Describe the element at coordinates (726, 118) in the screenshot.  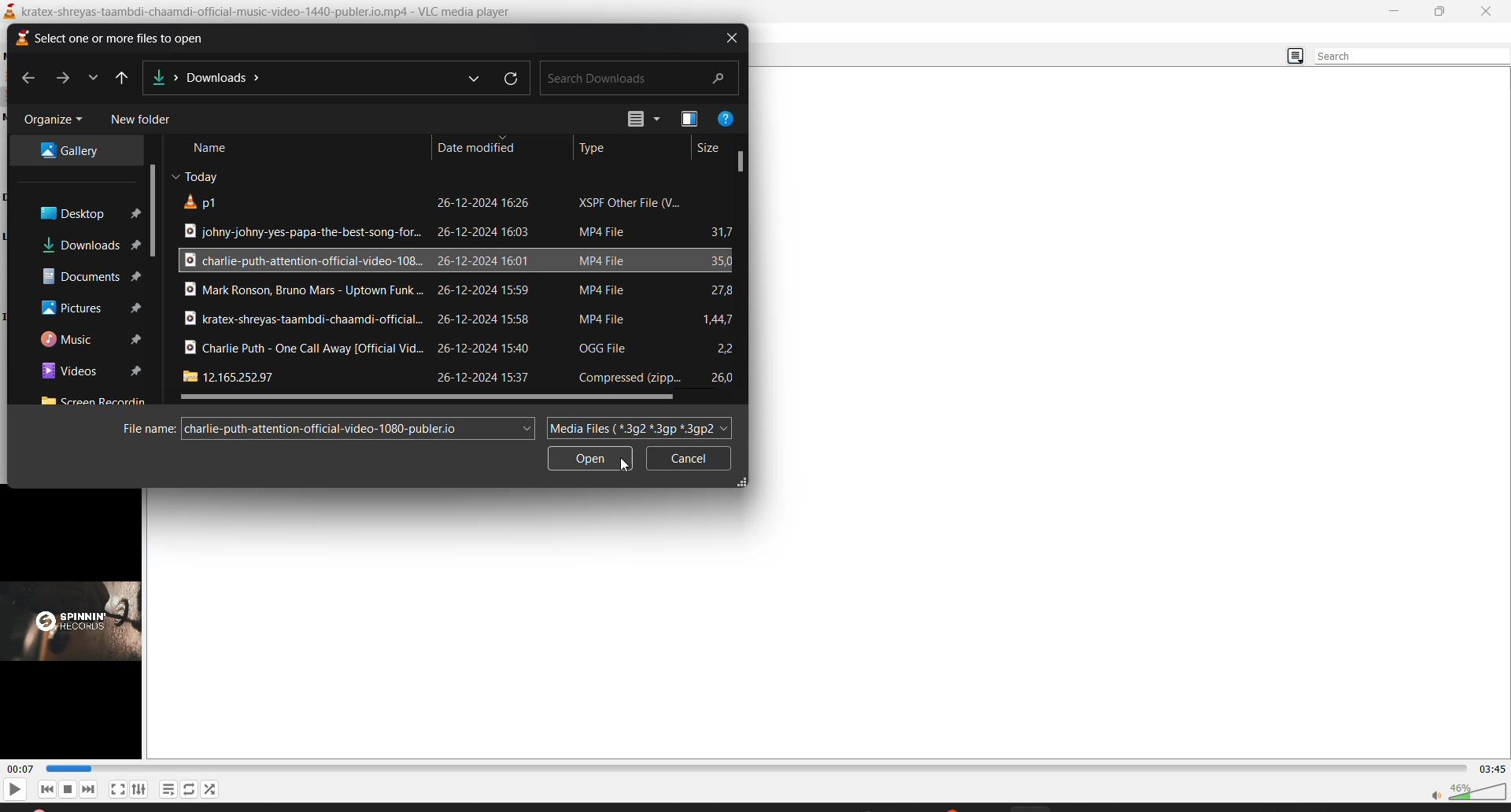
I see `help` at that location.